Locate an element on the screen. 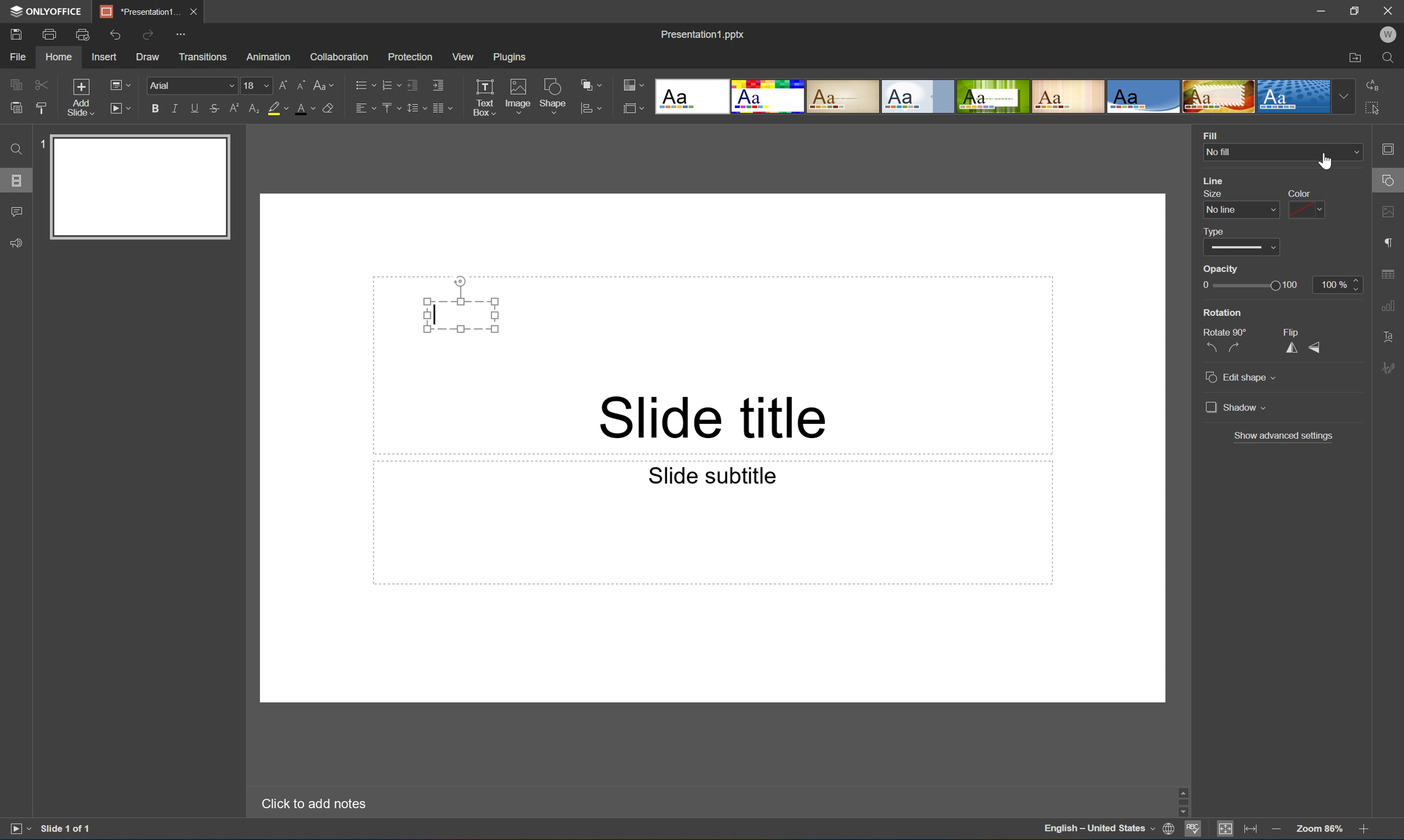 Image resolution: width=1404 pixels, height=840 pixels. 1 is located at coordinates (45, 142).